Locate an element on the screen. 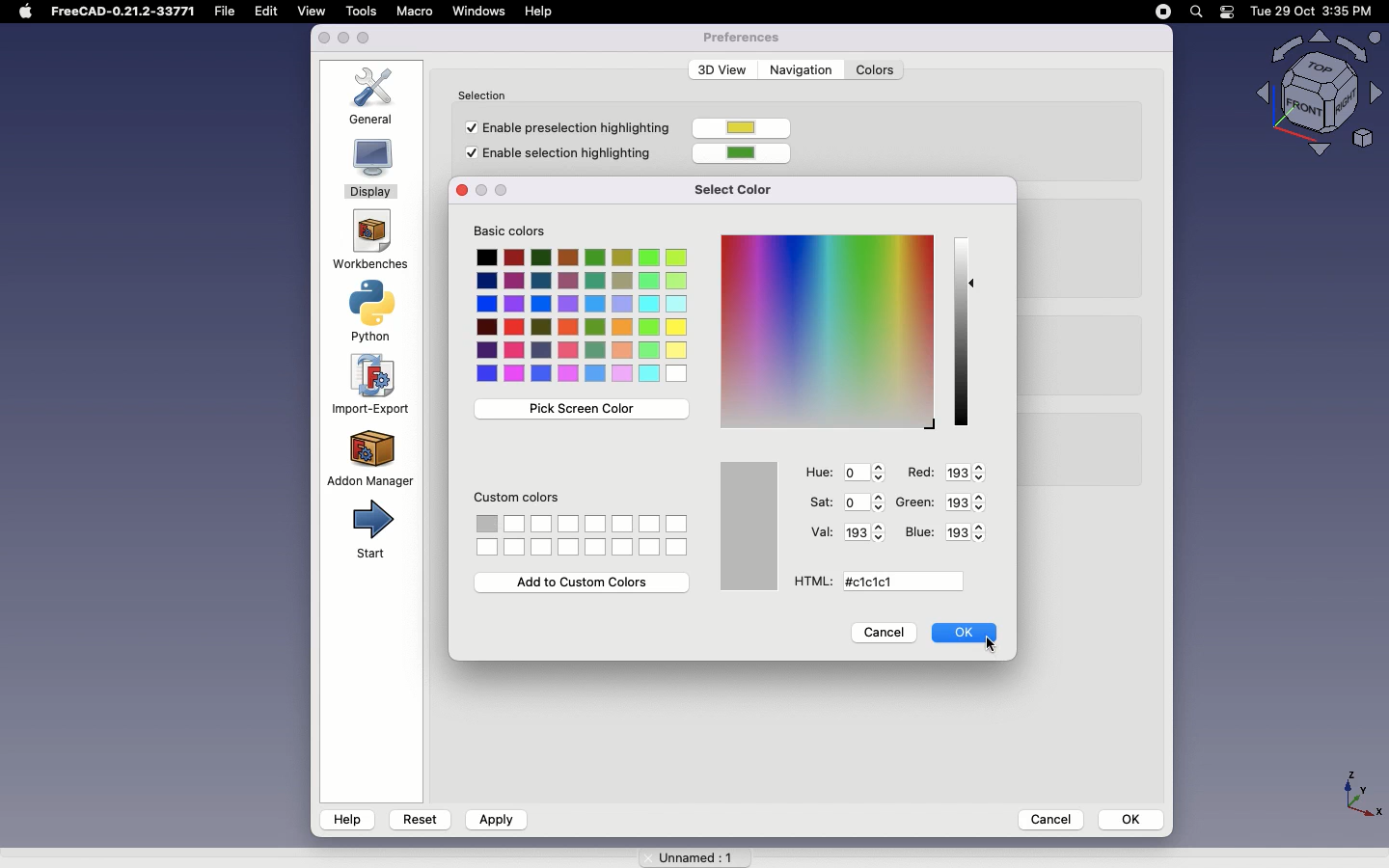  Sat is located at coordinates (820, 502).